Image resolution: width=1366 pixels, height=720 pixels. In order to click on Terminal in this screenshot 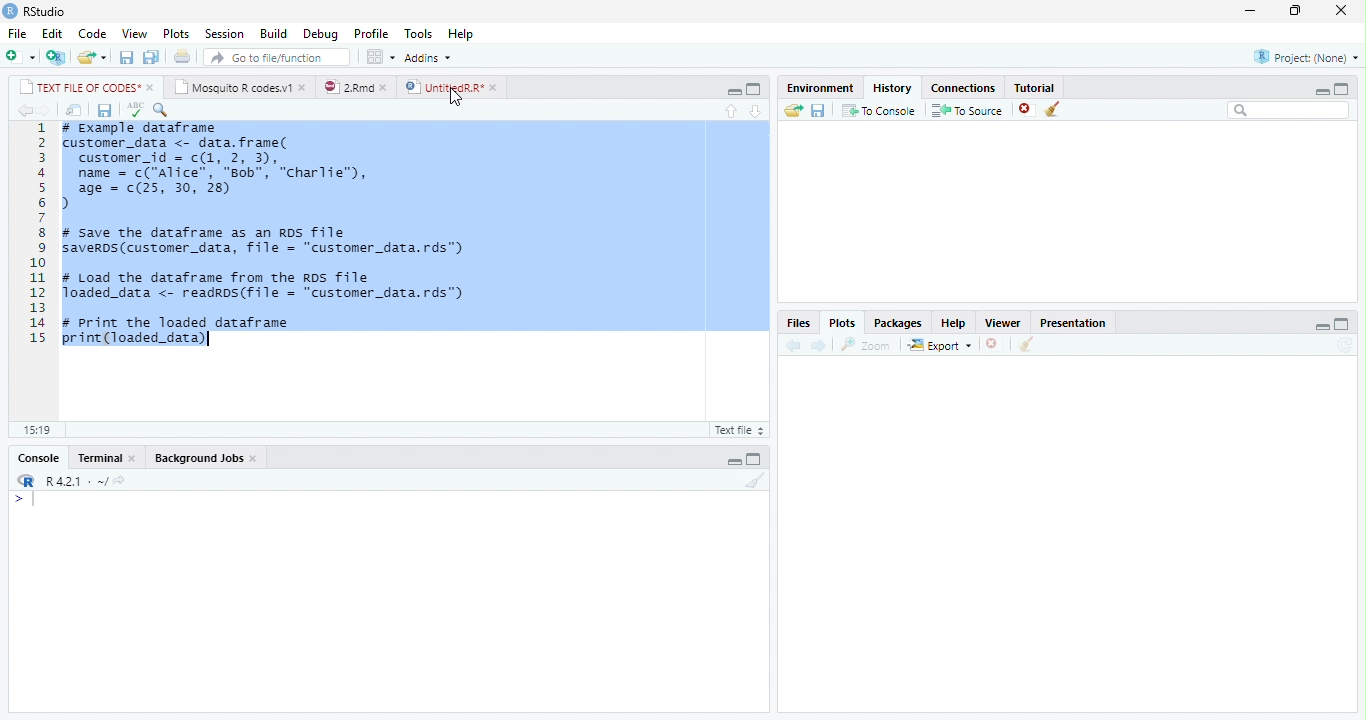, I will do `click(98, 458)`.